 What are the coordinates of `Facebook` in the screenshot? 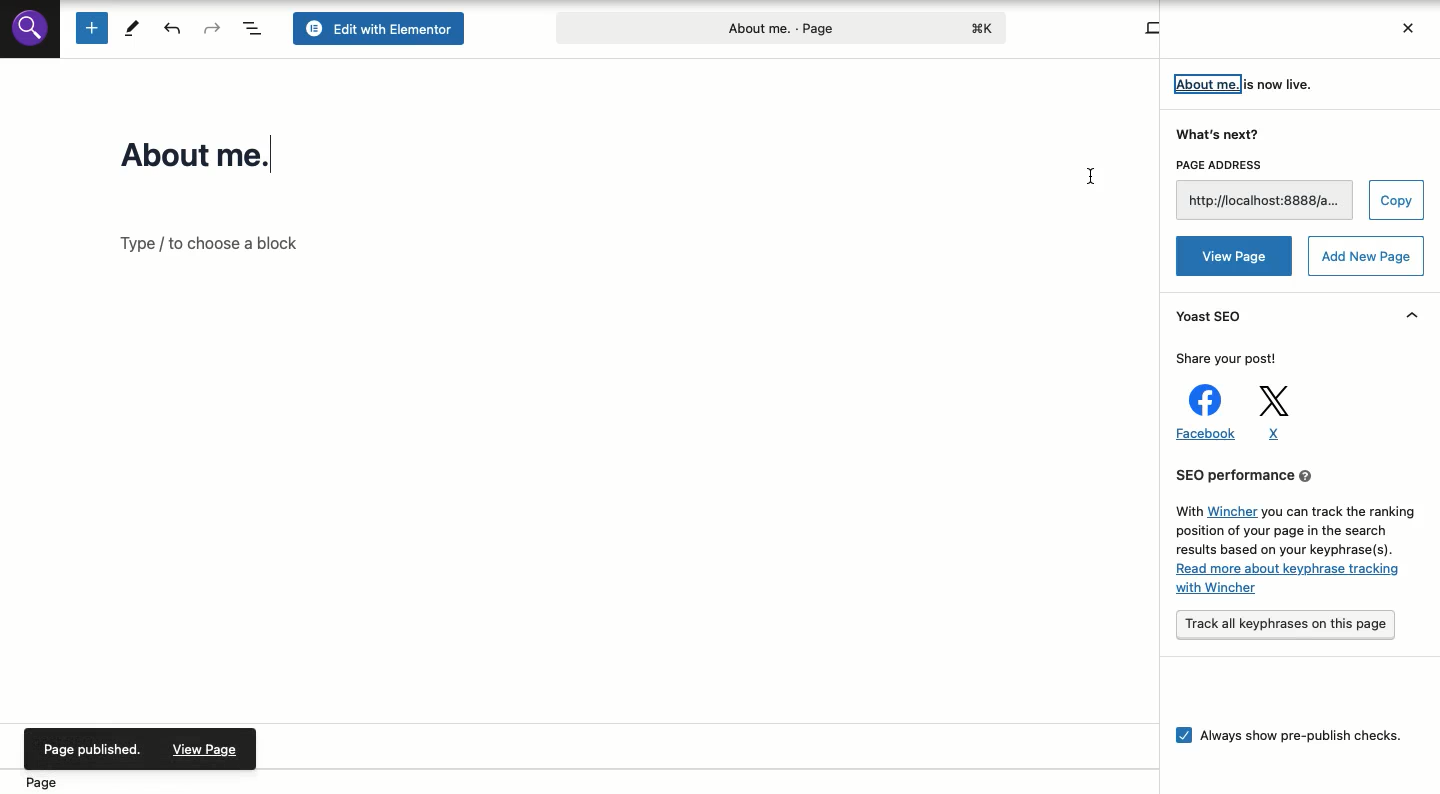 It's located at (1204, 412).